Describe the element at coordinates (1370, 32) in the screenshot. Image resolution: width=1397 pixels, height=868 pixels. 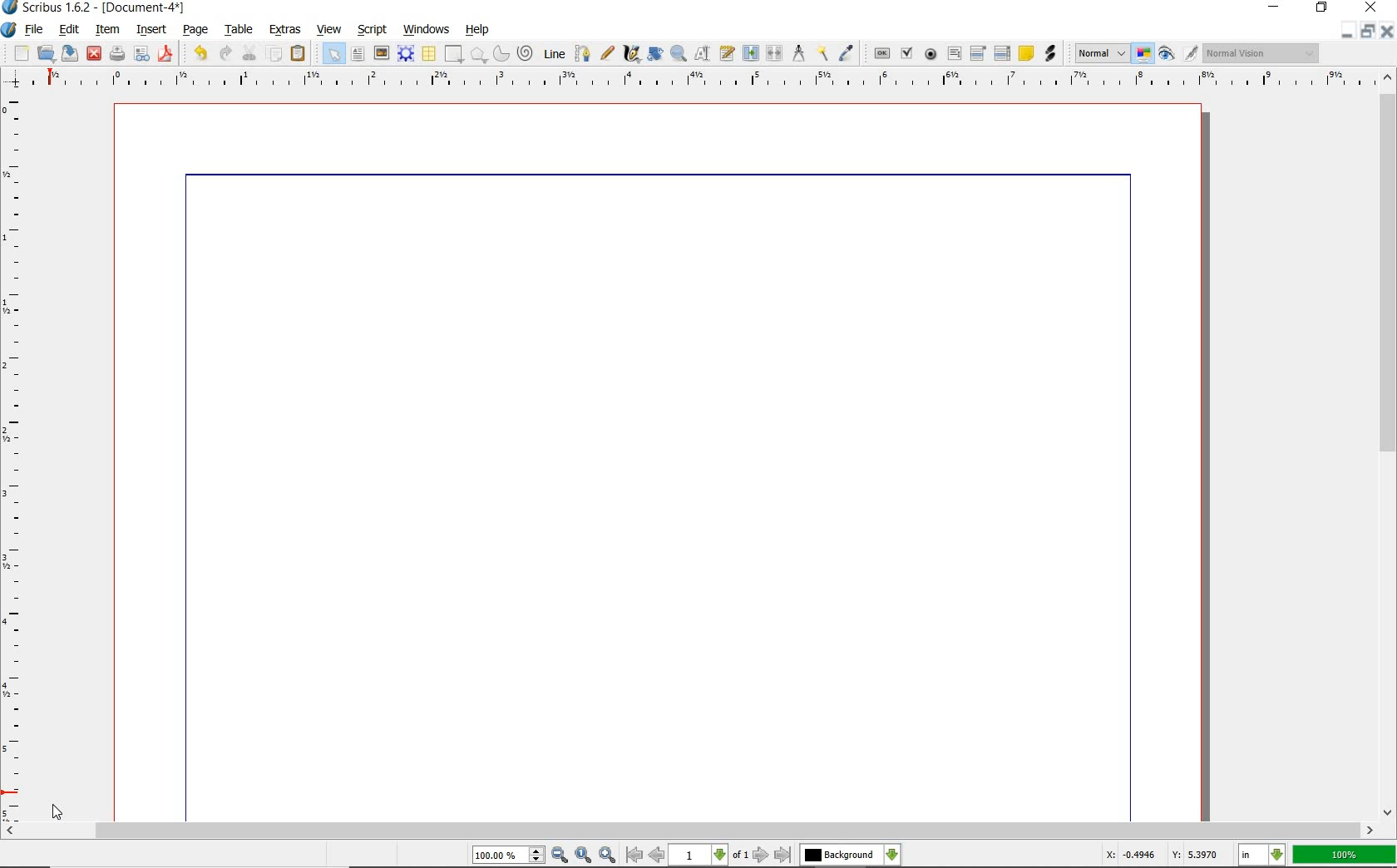
I see `restore` at that location.